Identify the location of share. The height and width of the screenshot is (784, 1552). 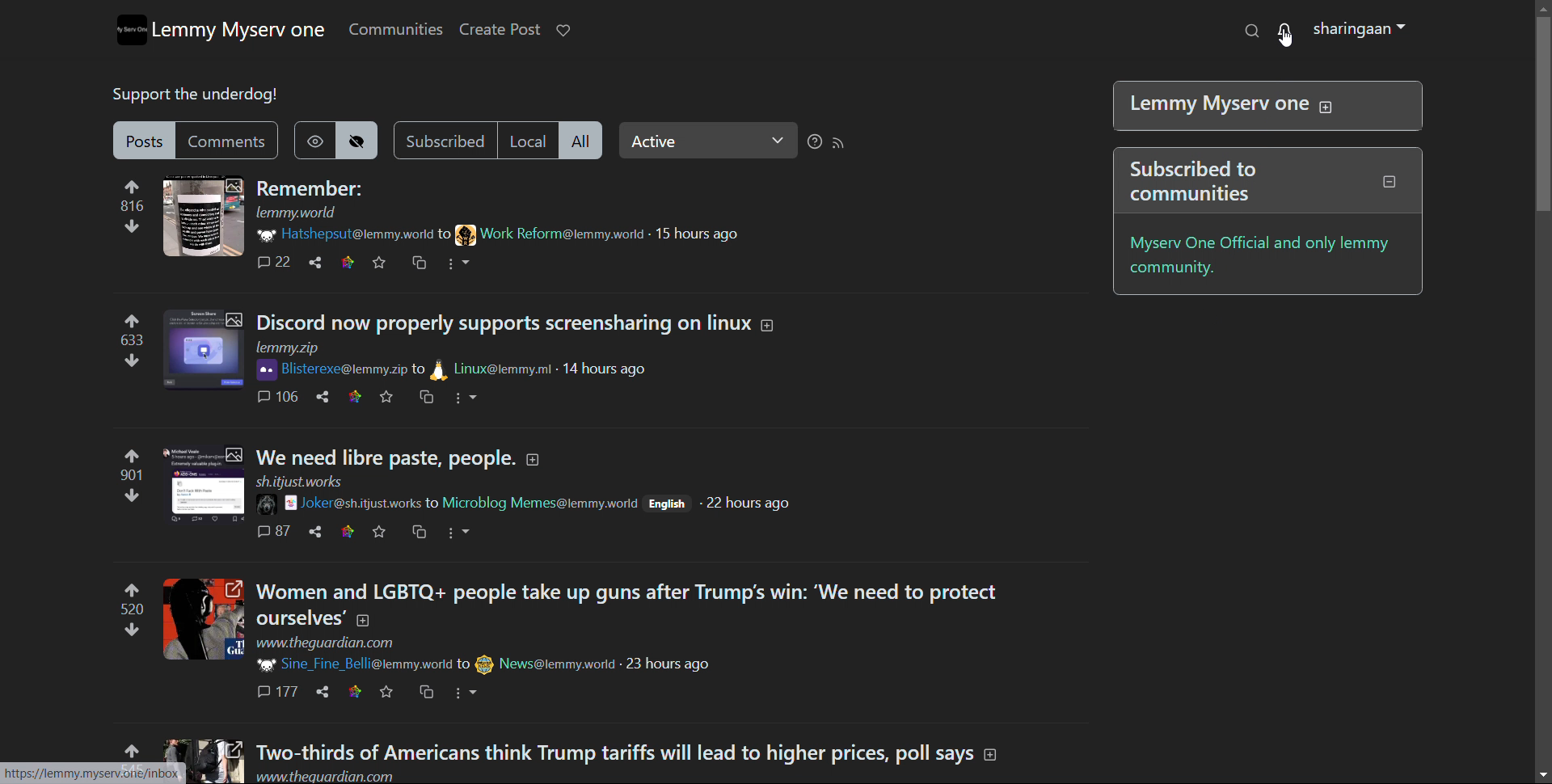
(324, 690).